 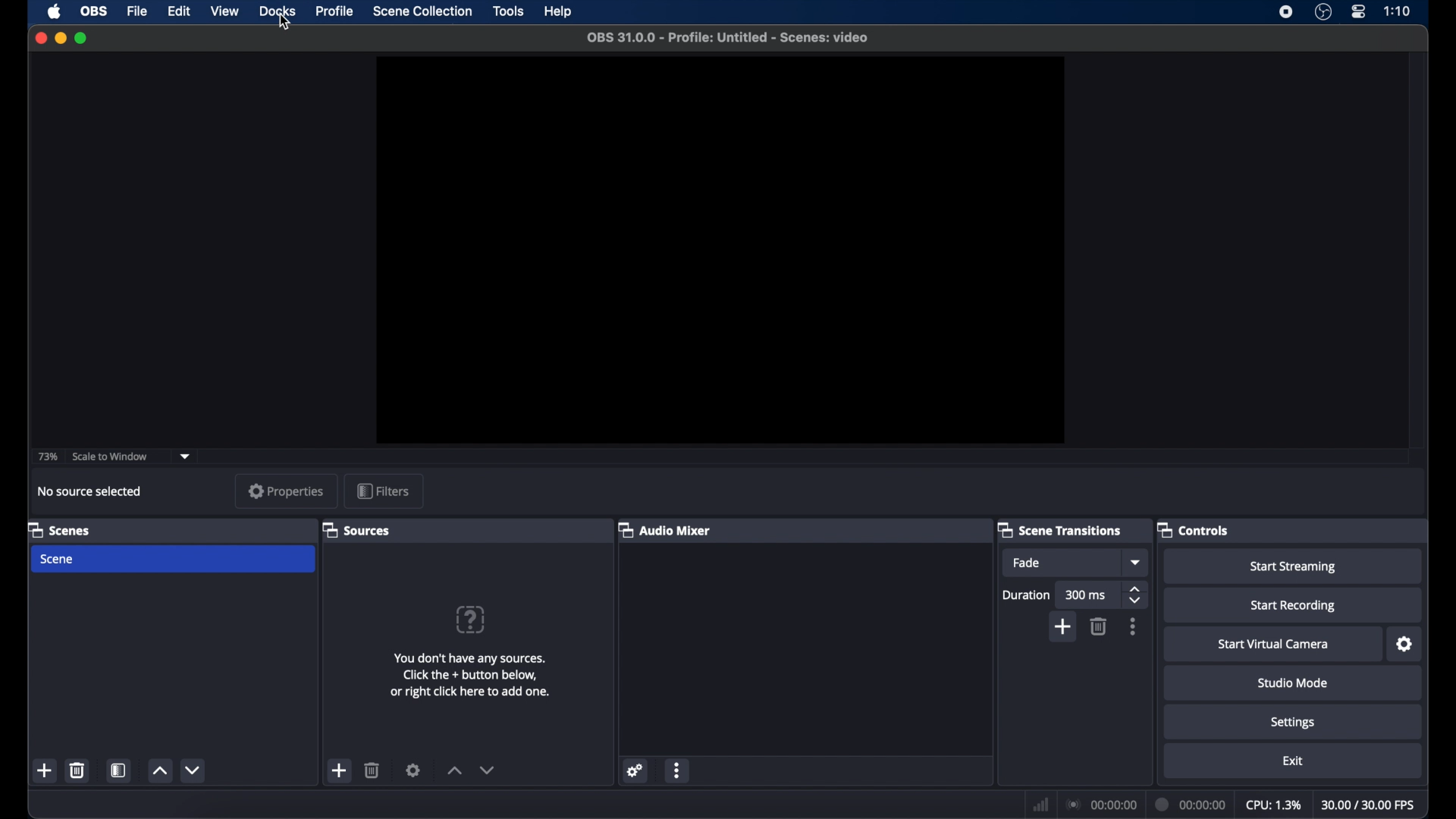 I want to click on preview, so click(x=720, y=251).